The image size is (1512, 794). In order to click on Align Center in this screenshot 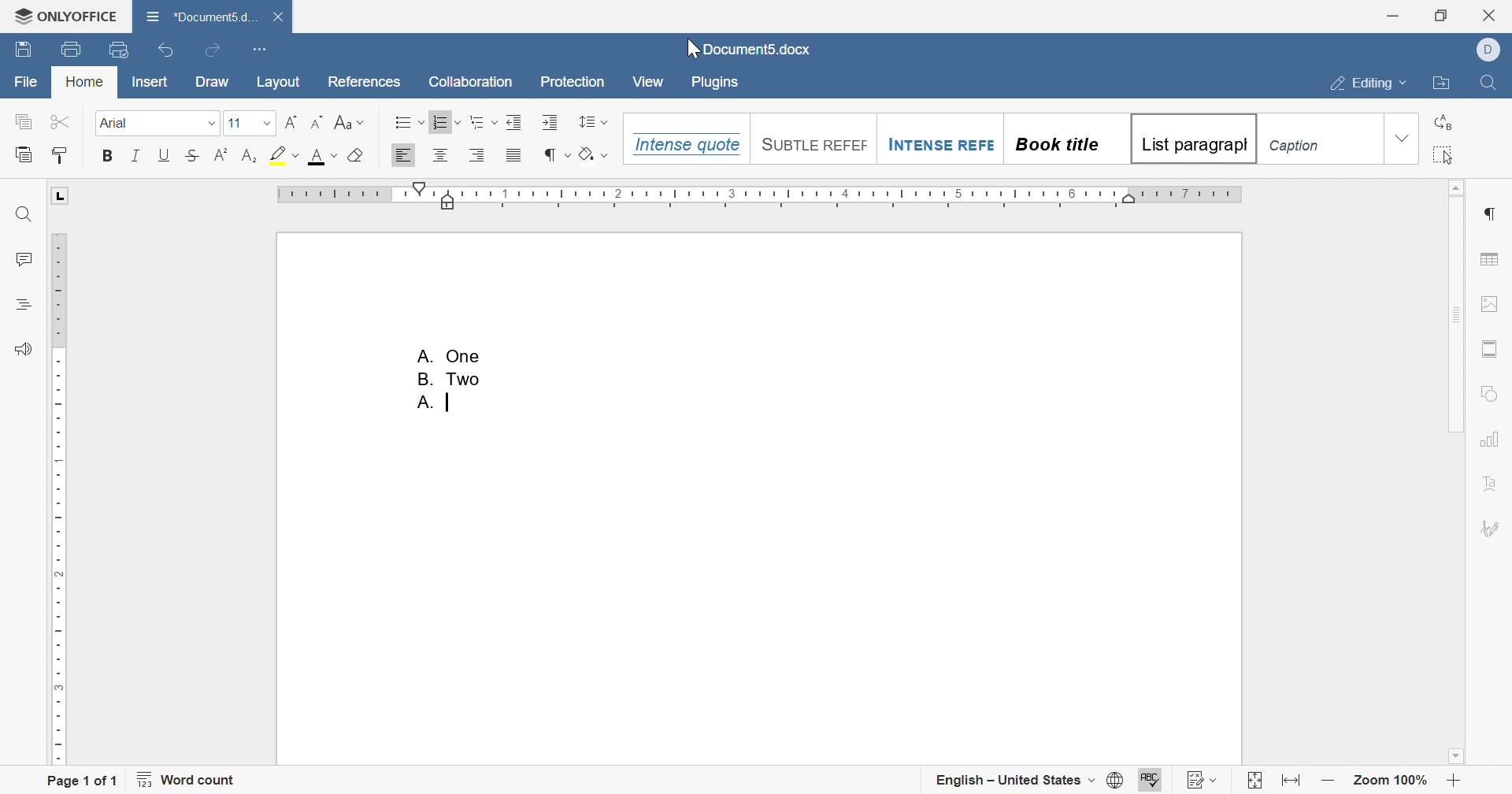, I will do `click(440, 155)`.